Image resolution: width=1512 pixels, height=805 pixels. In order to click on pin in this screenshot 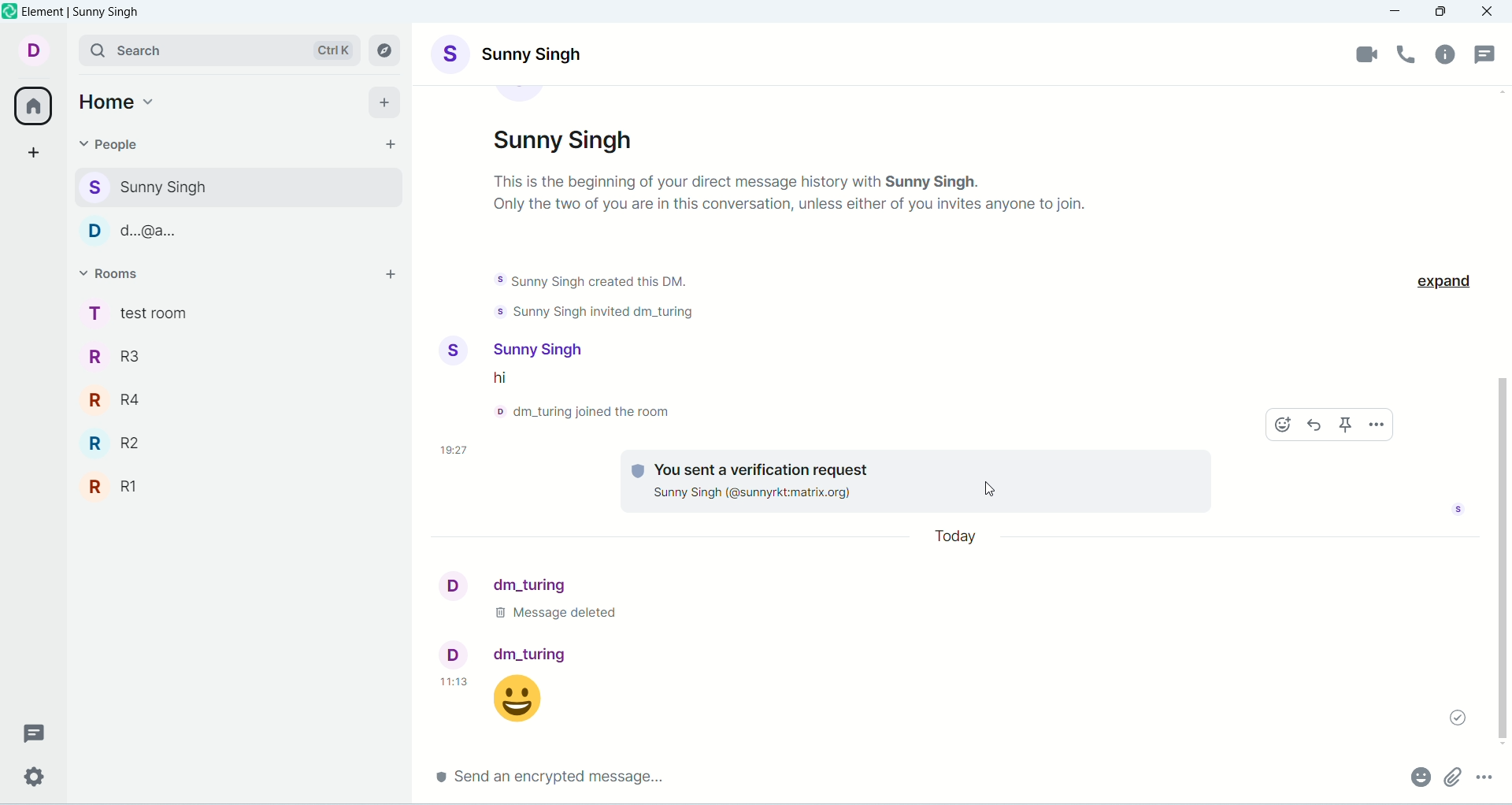, I will do `click(1346, 426)`.